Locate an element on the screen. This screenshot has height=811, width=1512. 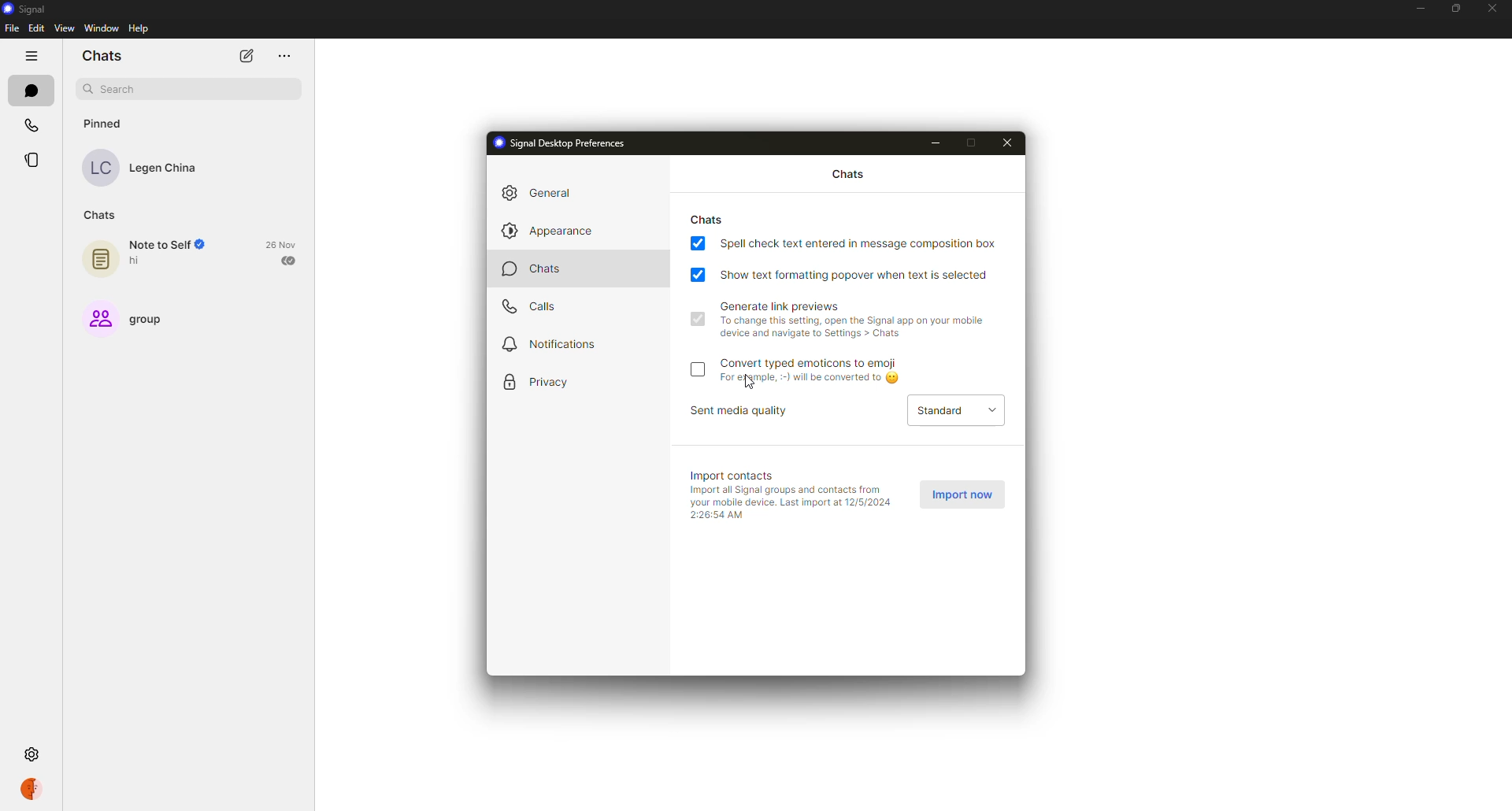
view is located at coordinates (63, 28).